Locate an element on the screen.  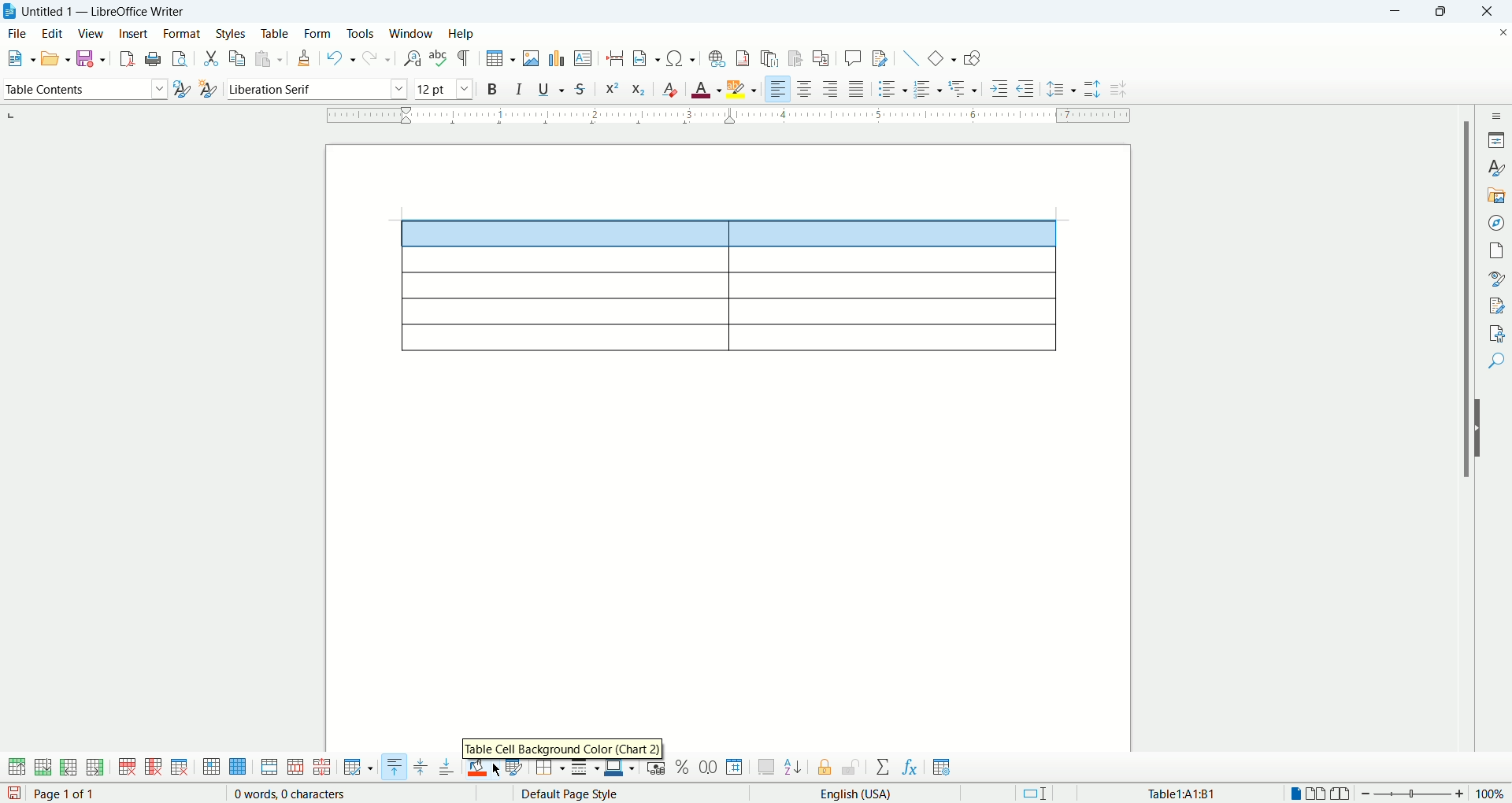
table1 is located at coordinates (1184, 793).